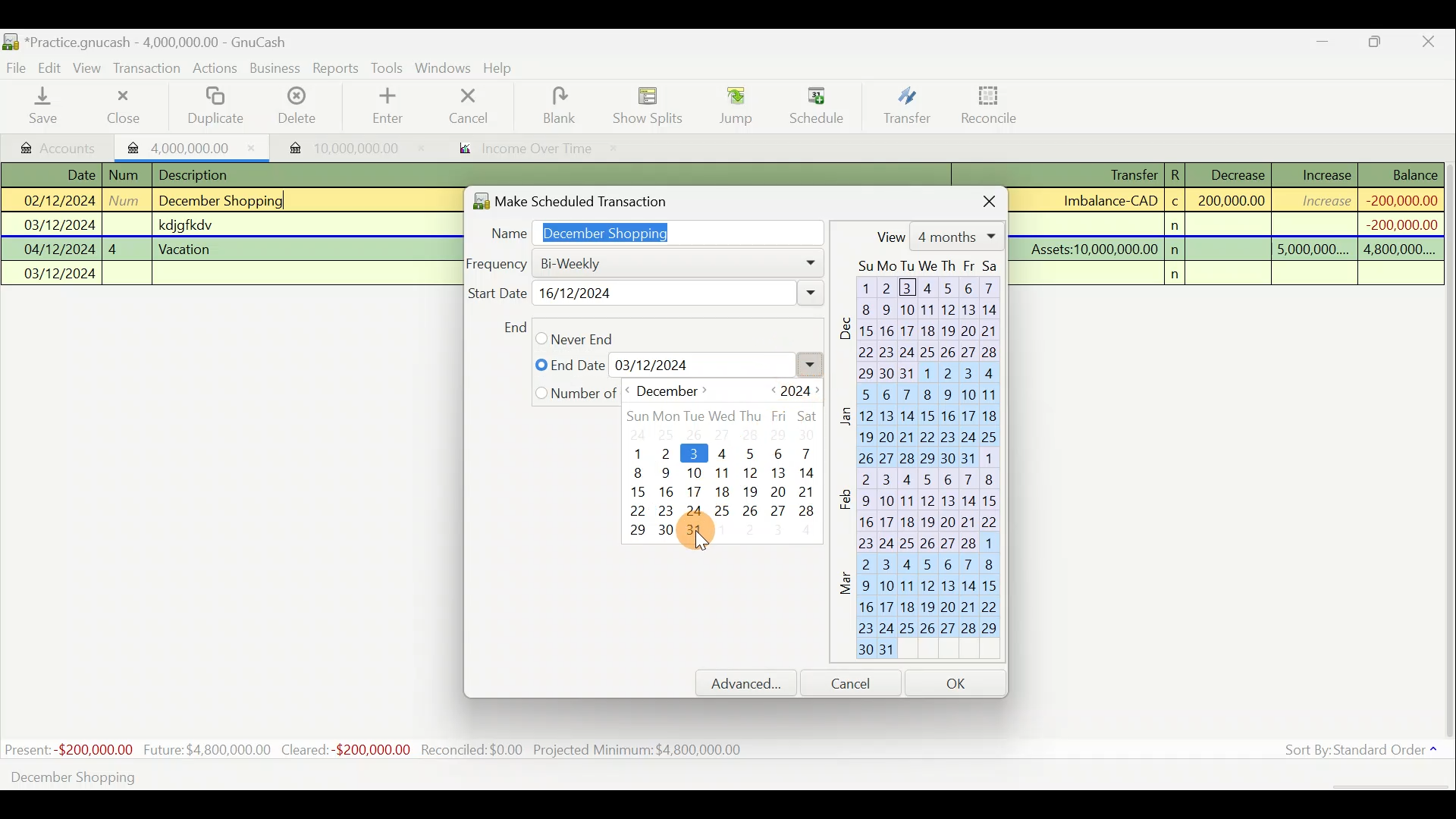 Image resolution: width=1456 pixels, height=819 pixels. Describe the element at coordinates (60, 146) in the screenshot. I see `Accounts` at that location.